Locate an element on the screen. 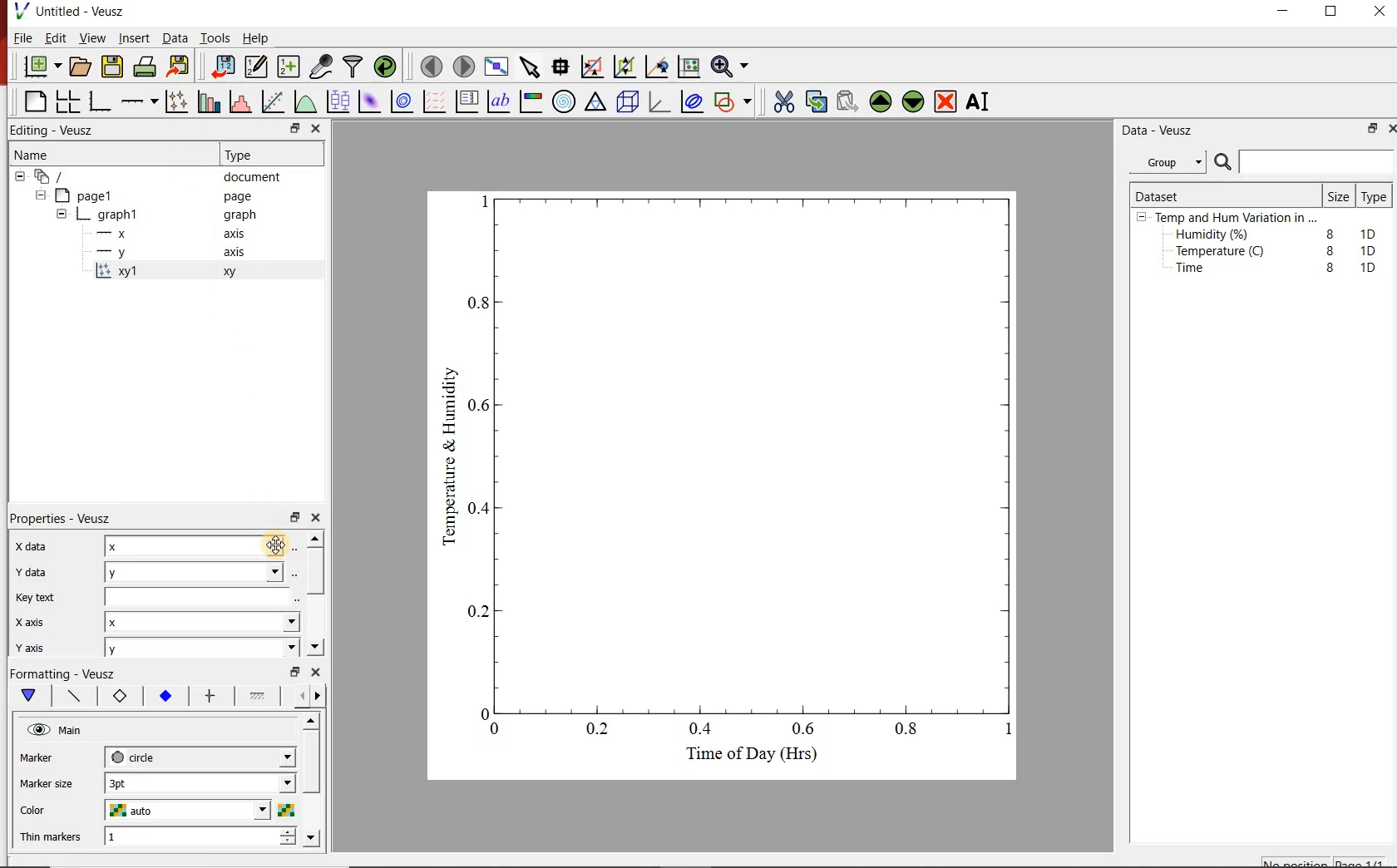 The width and height of the screenshot is (1397, 868). auto is located at coordinates (134, 811).